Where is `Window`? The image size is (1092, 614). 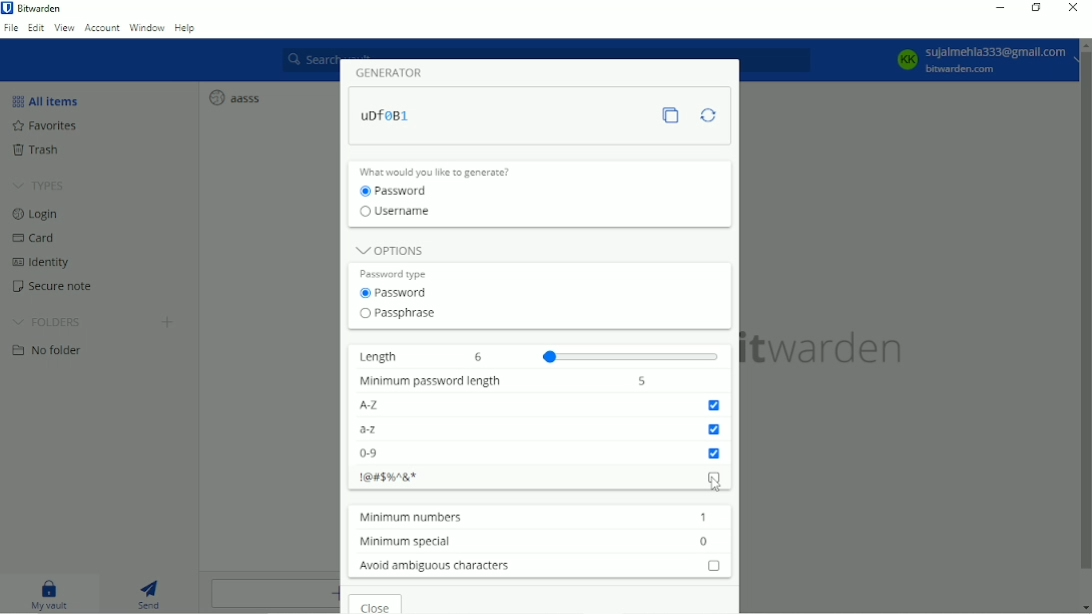
Window is located at coordinates (147, 28).